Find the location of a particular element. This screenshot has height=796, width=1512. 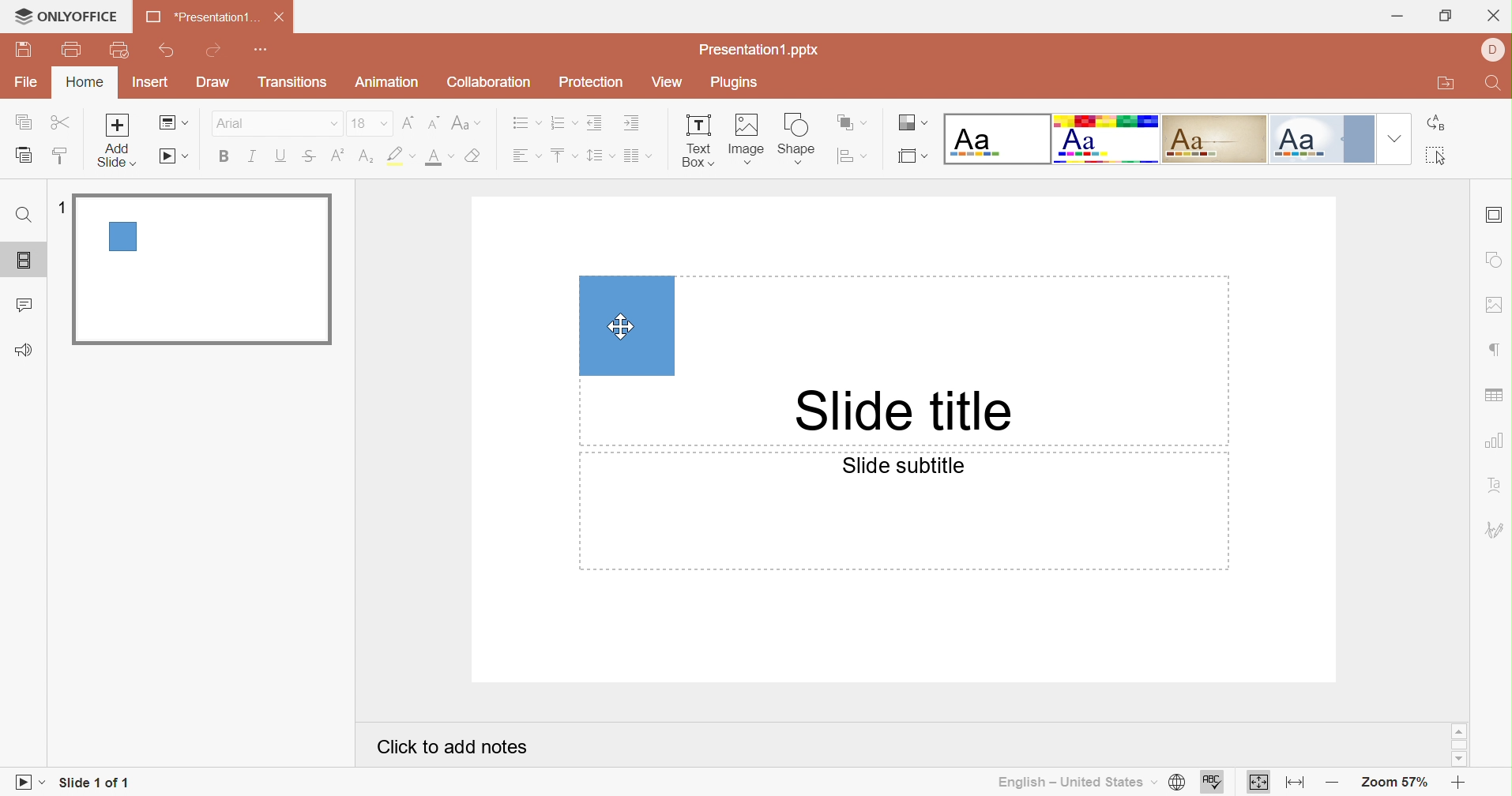

Replace is located at coordinates (1439, 122).